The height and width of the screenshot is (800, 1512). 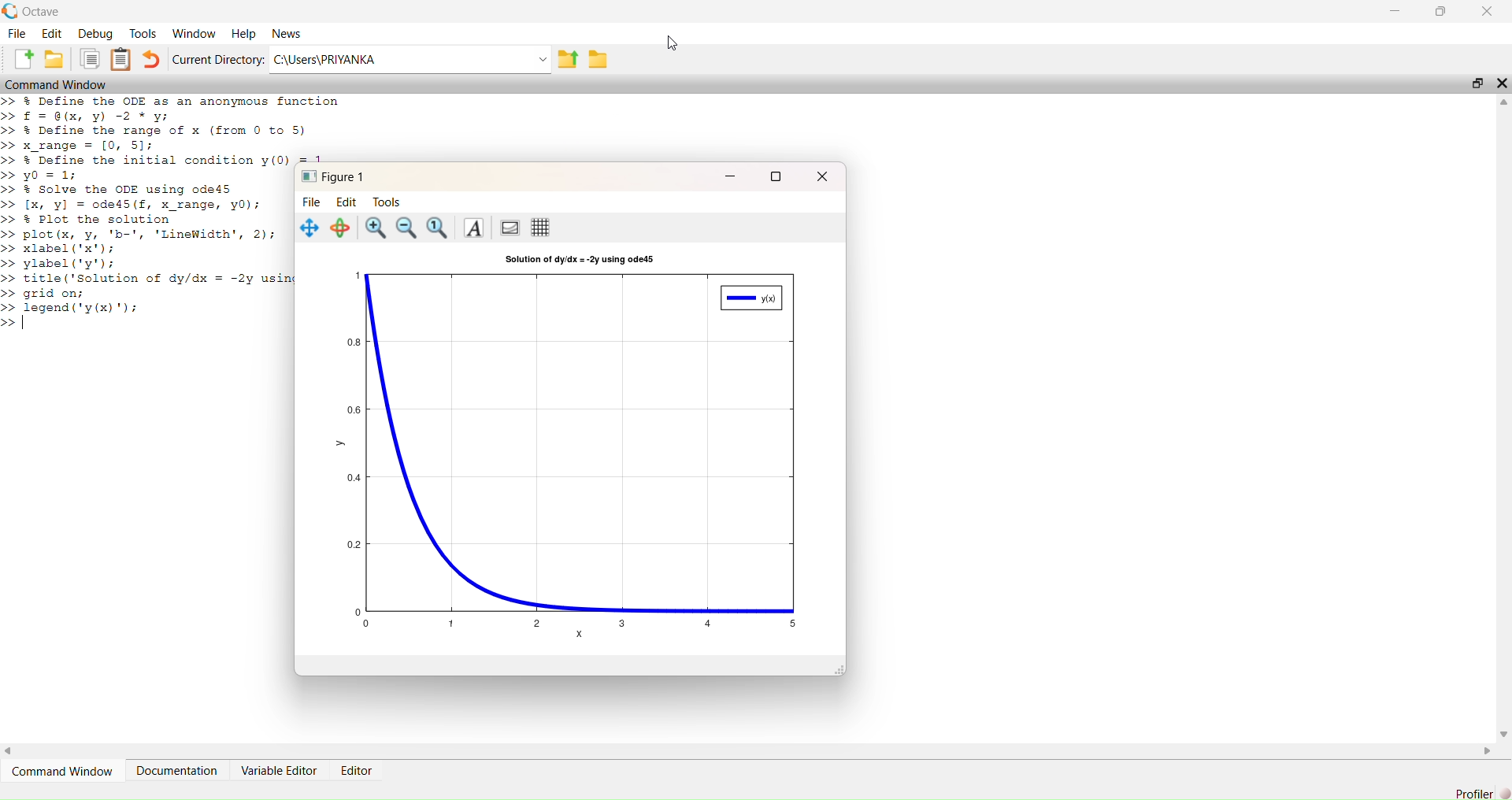 What do you see at coordinates (1441, 12) in the screenshot?
I see `restore` at bounding box center [1441, 12].